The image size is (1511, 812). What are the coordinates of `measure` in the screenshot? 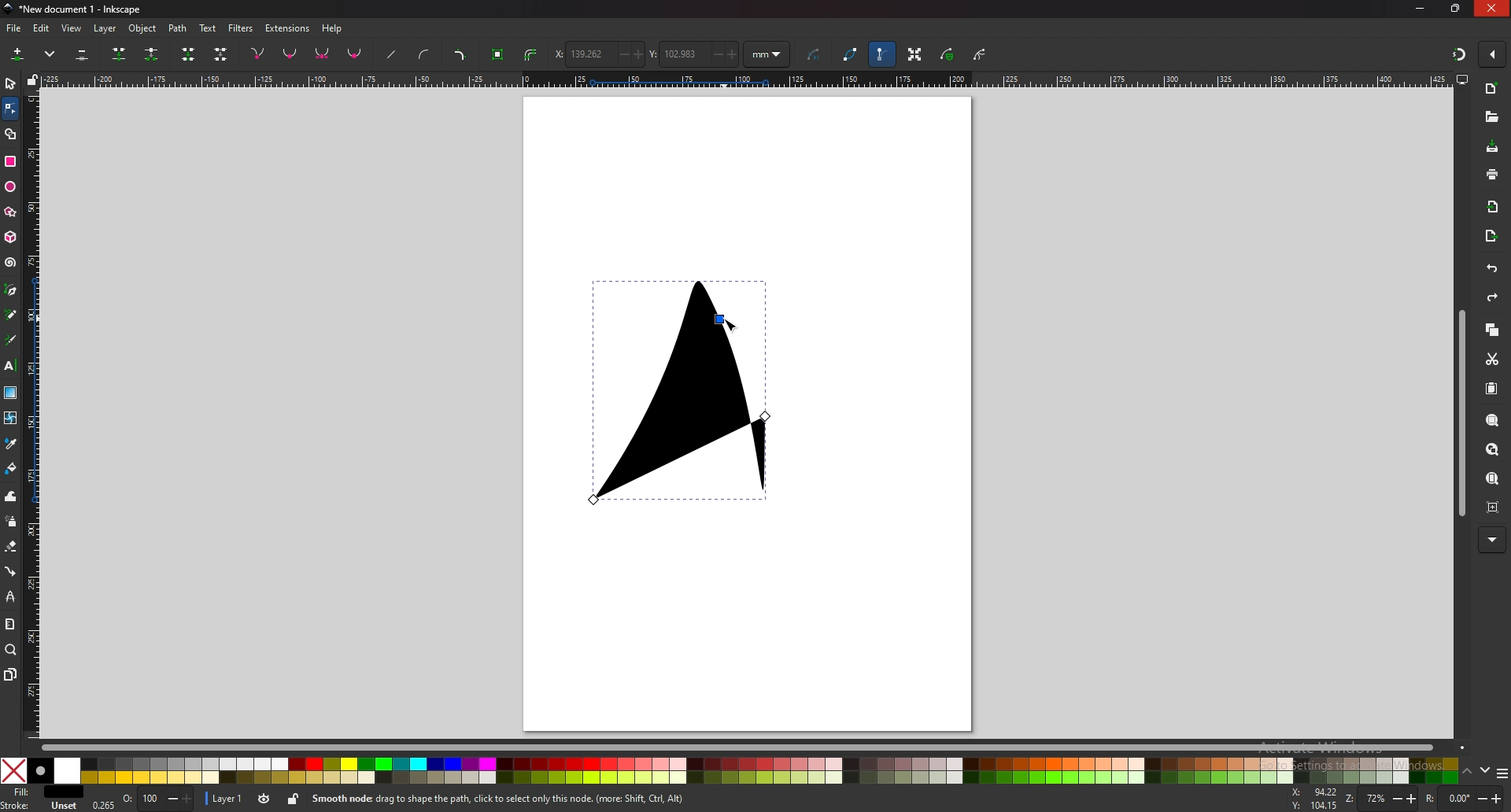 It's located at (10, 624).